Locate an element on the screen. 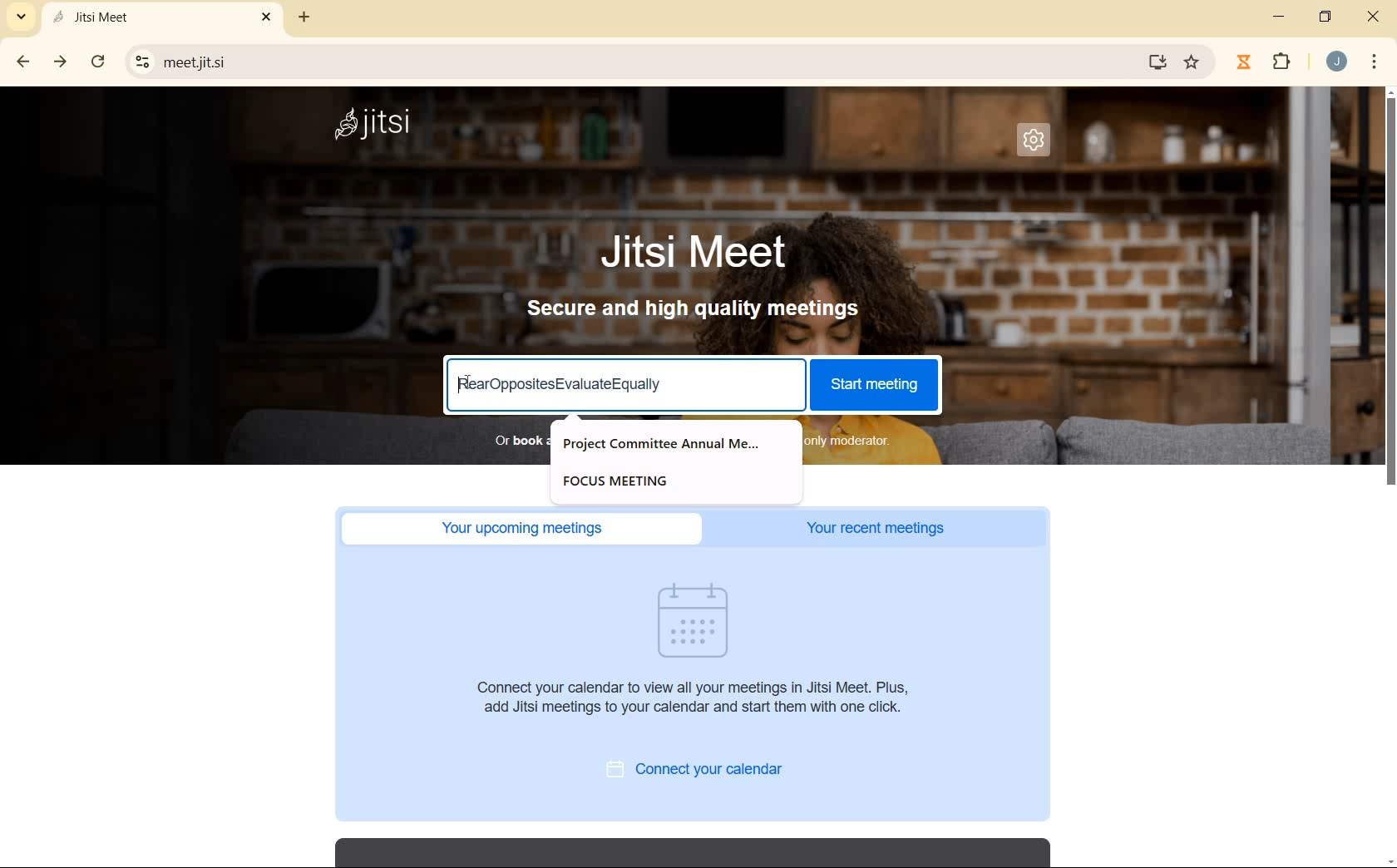 The width and height of the screenshot is (1397, 868). EXTENSIONS is located at coordinates (1284, 62).